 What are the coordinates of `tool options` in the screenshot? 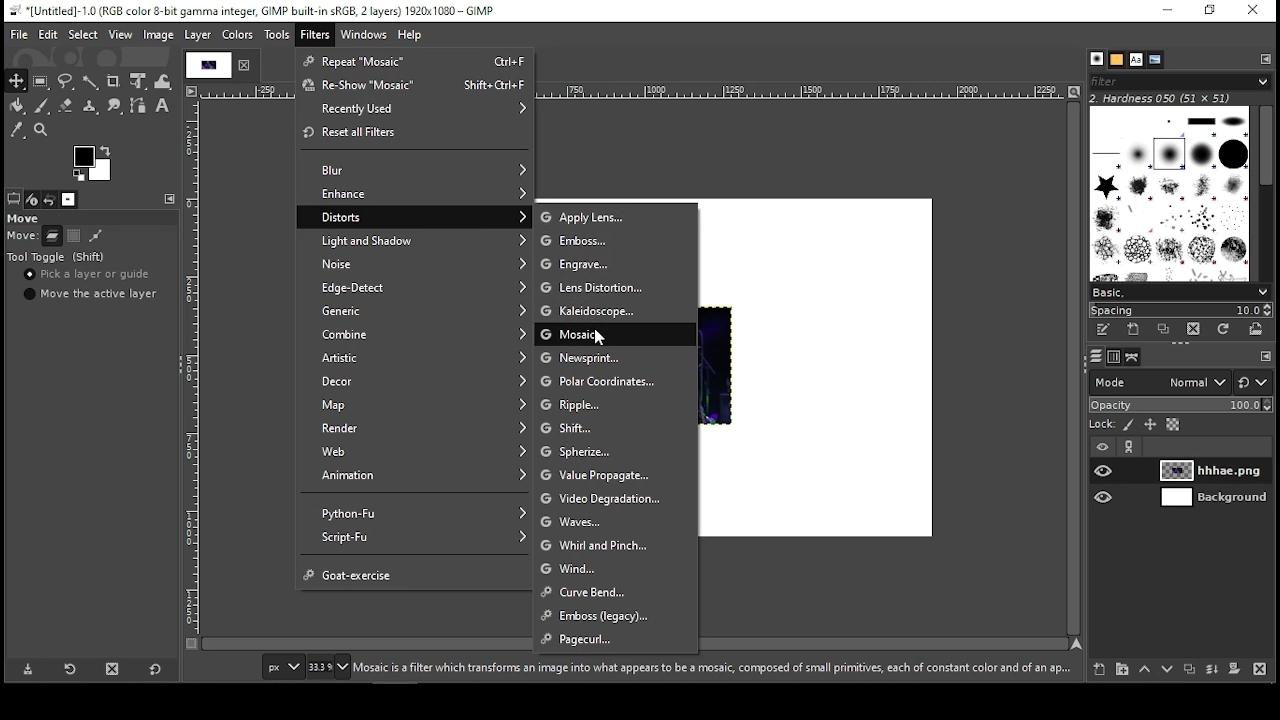 It's located at (12, 199).